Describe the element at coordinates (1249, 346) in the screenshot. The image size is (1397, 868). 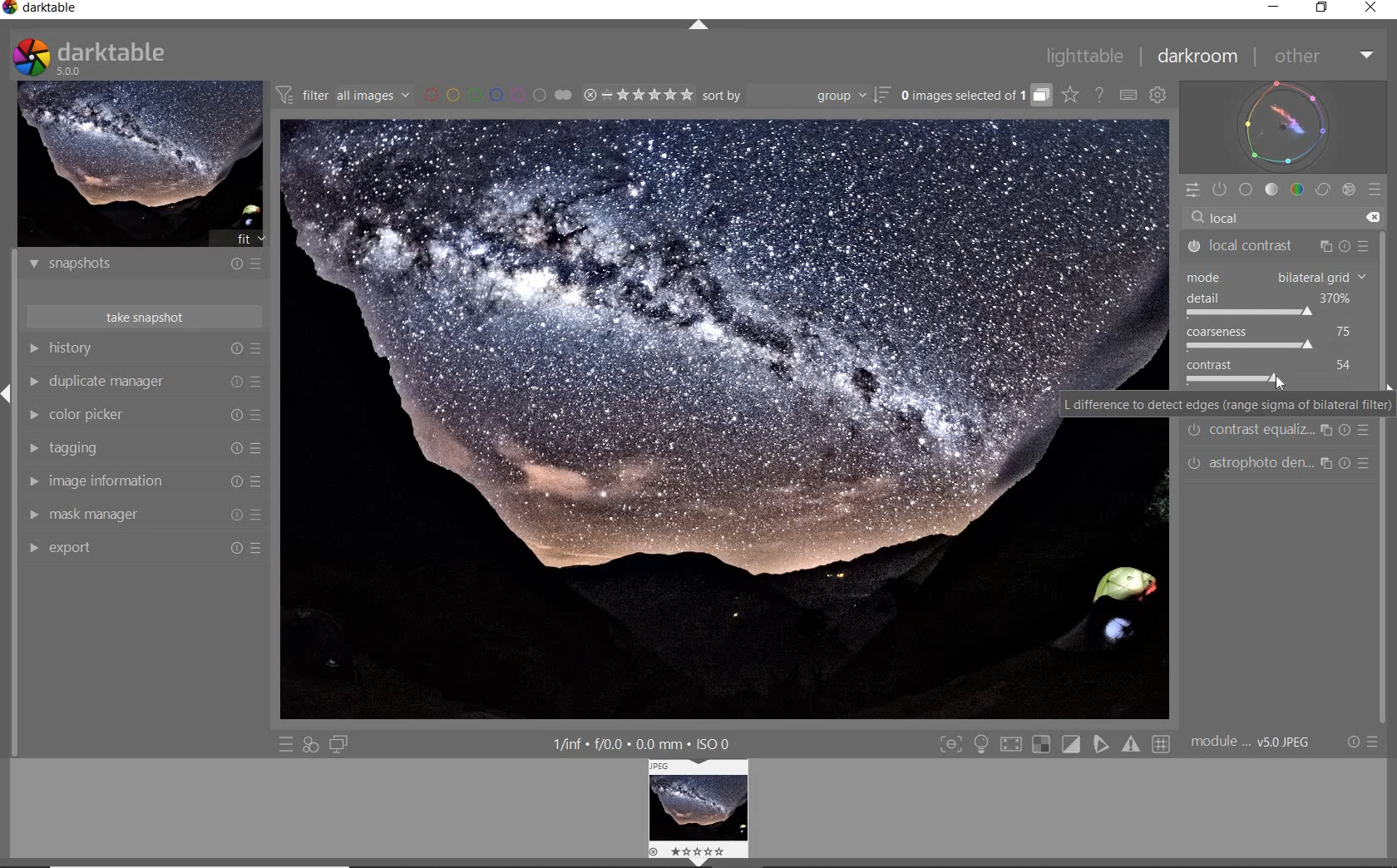
I see `coarseness slider` at that location.